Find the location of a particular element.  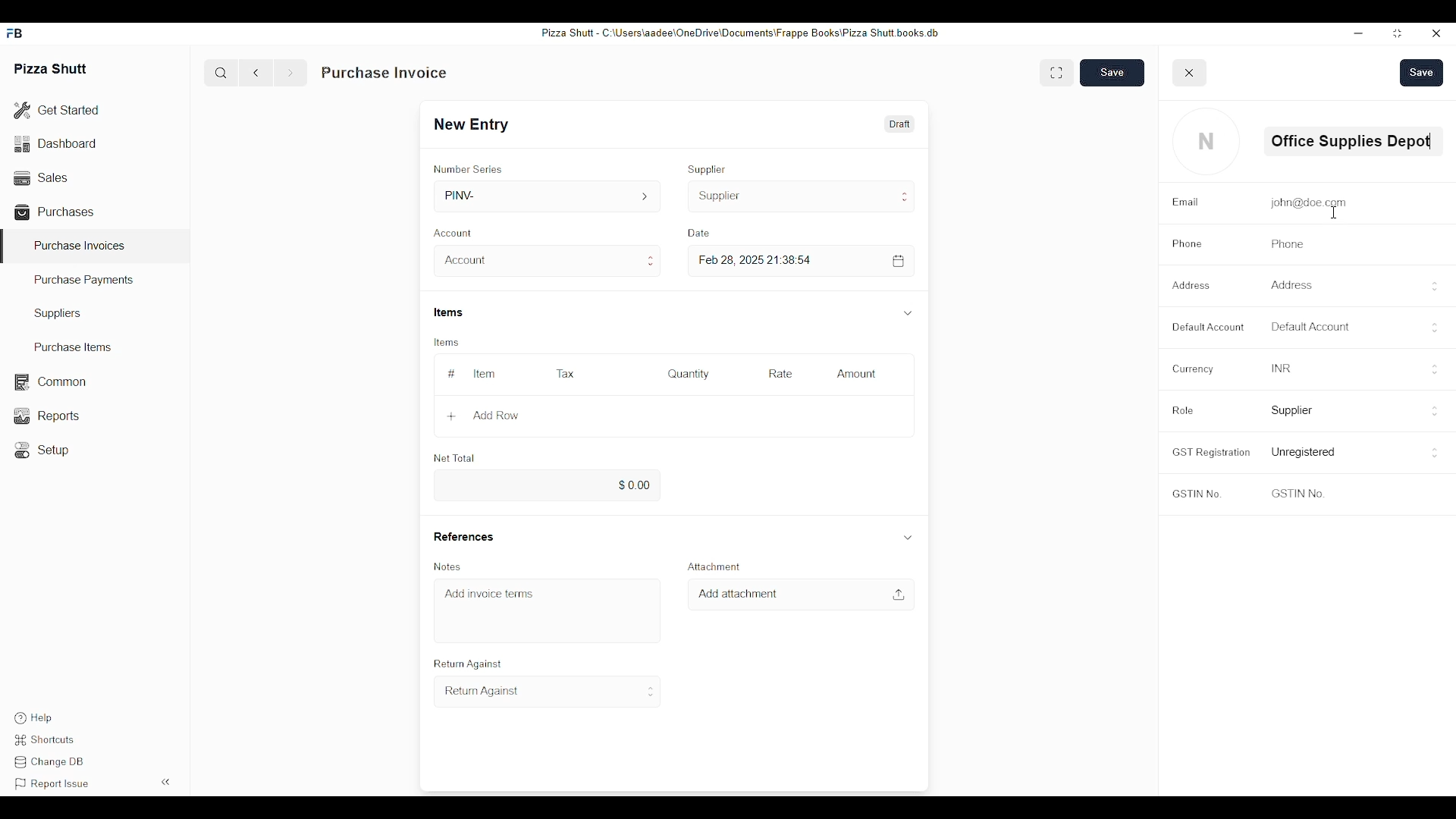

search is located at coordinates (221, 73).